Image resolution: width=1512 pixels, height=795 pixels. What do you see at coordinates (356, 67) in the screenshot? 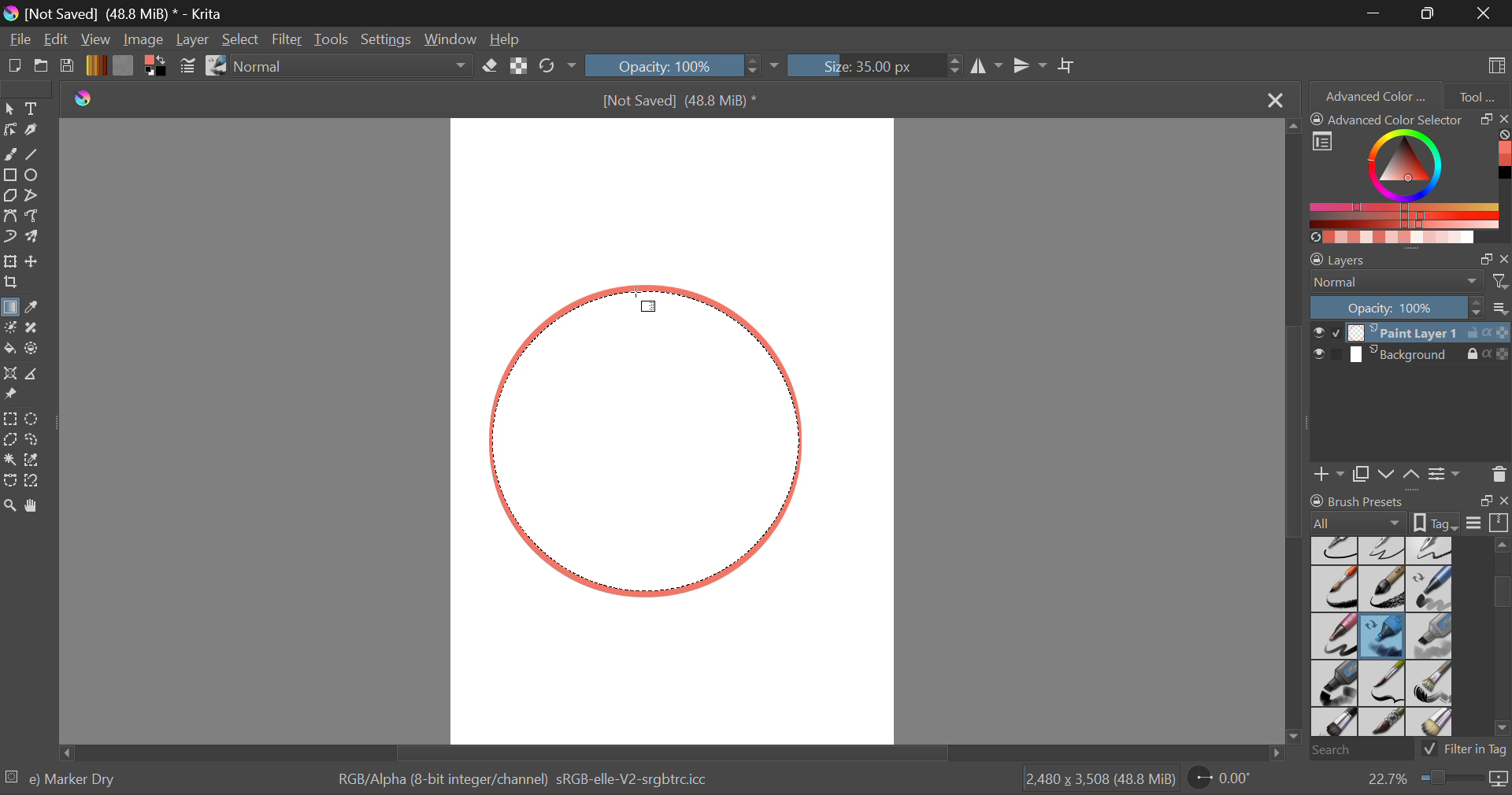
I see `Blending Mode` at bounding box center [356, 67].